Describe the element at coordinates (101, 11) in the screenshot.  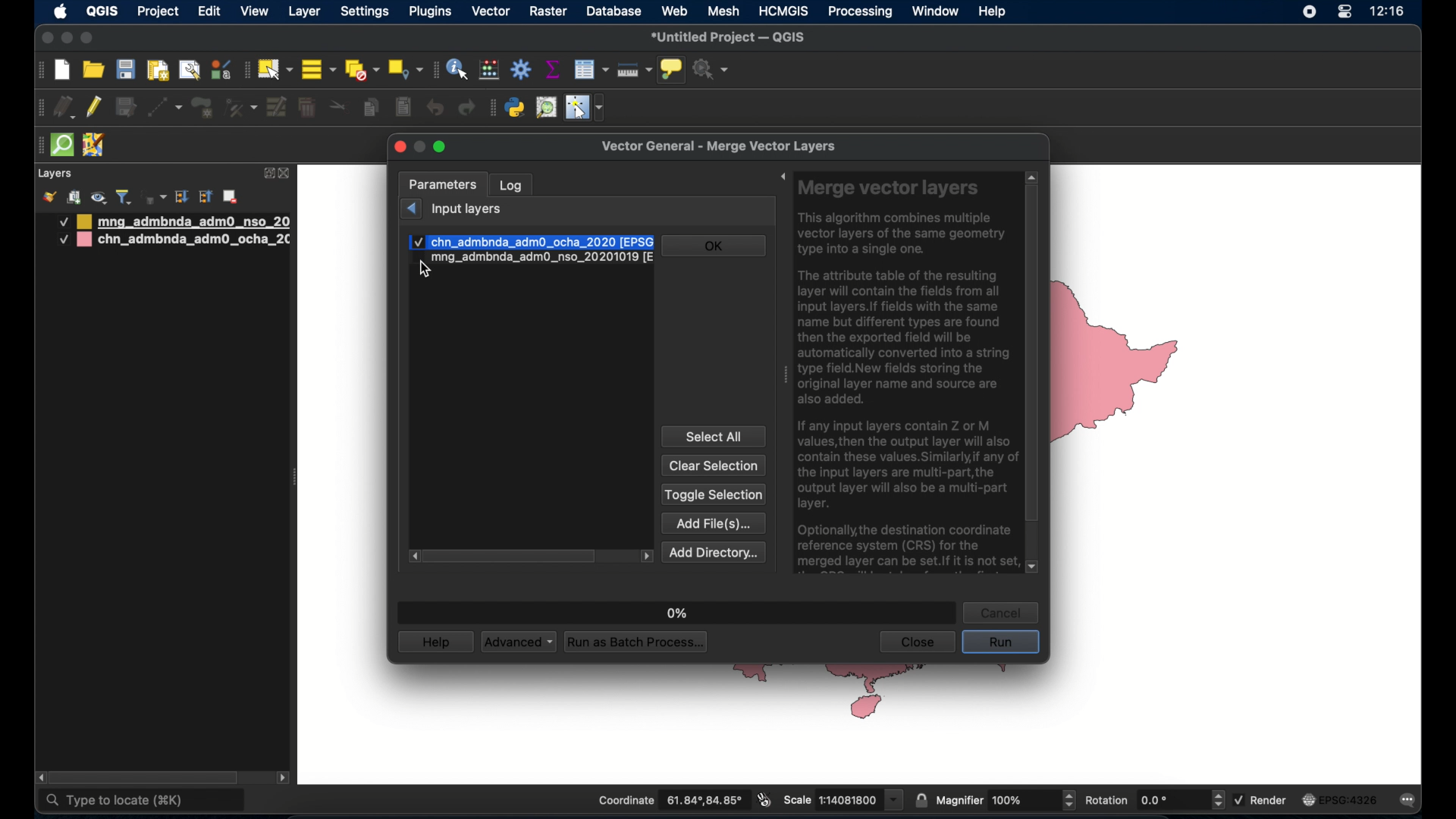
I see `QGIS` at that location.